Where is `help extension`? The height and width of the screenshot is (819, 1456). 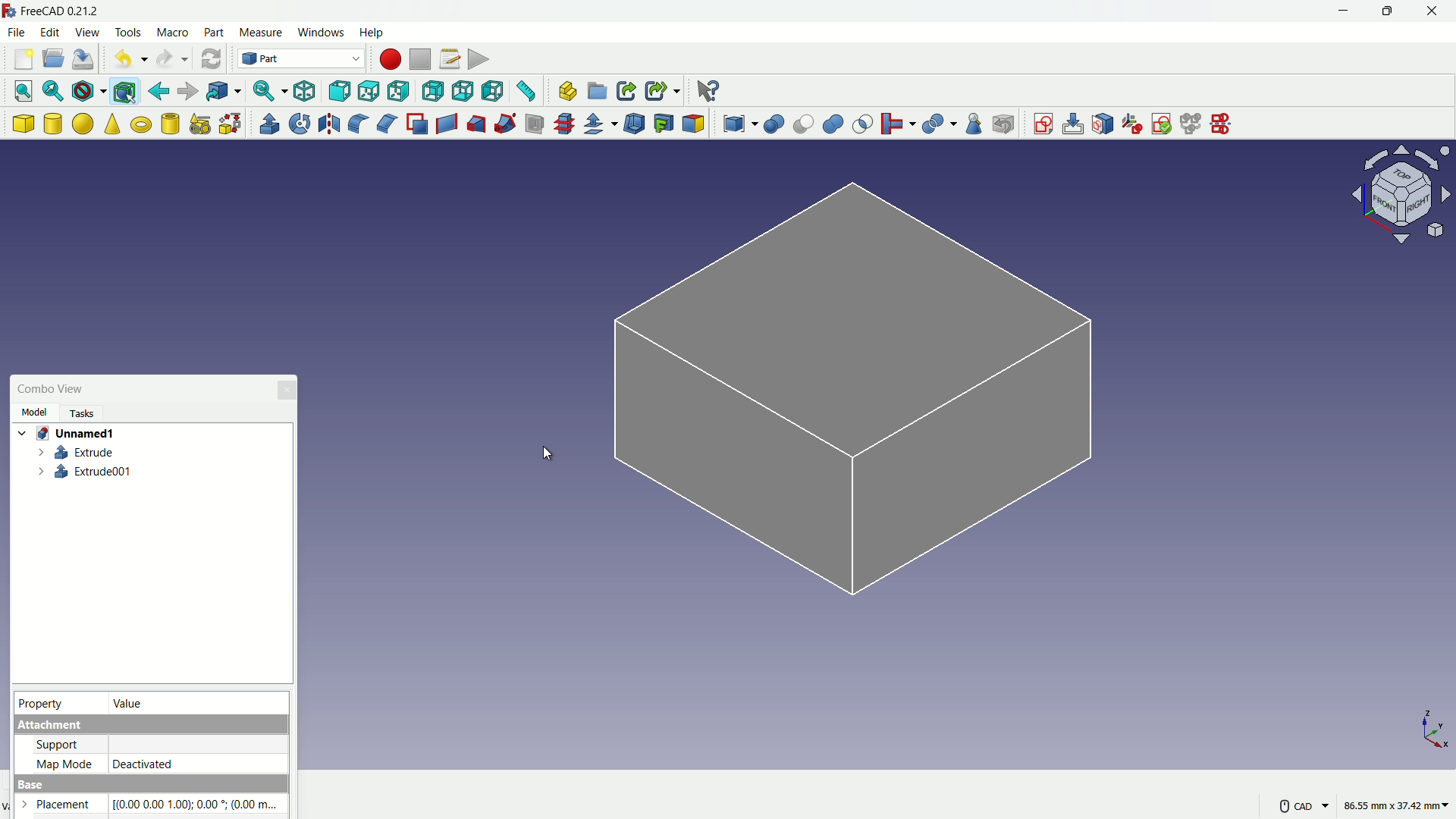
help extension is located at coordinates (707, 90).